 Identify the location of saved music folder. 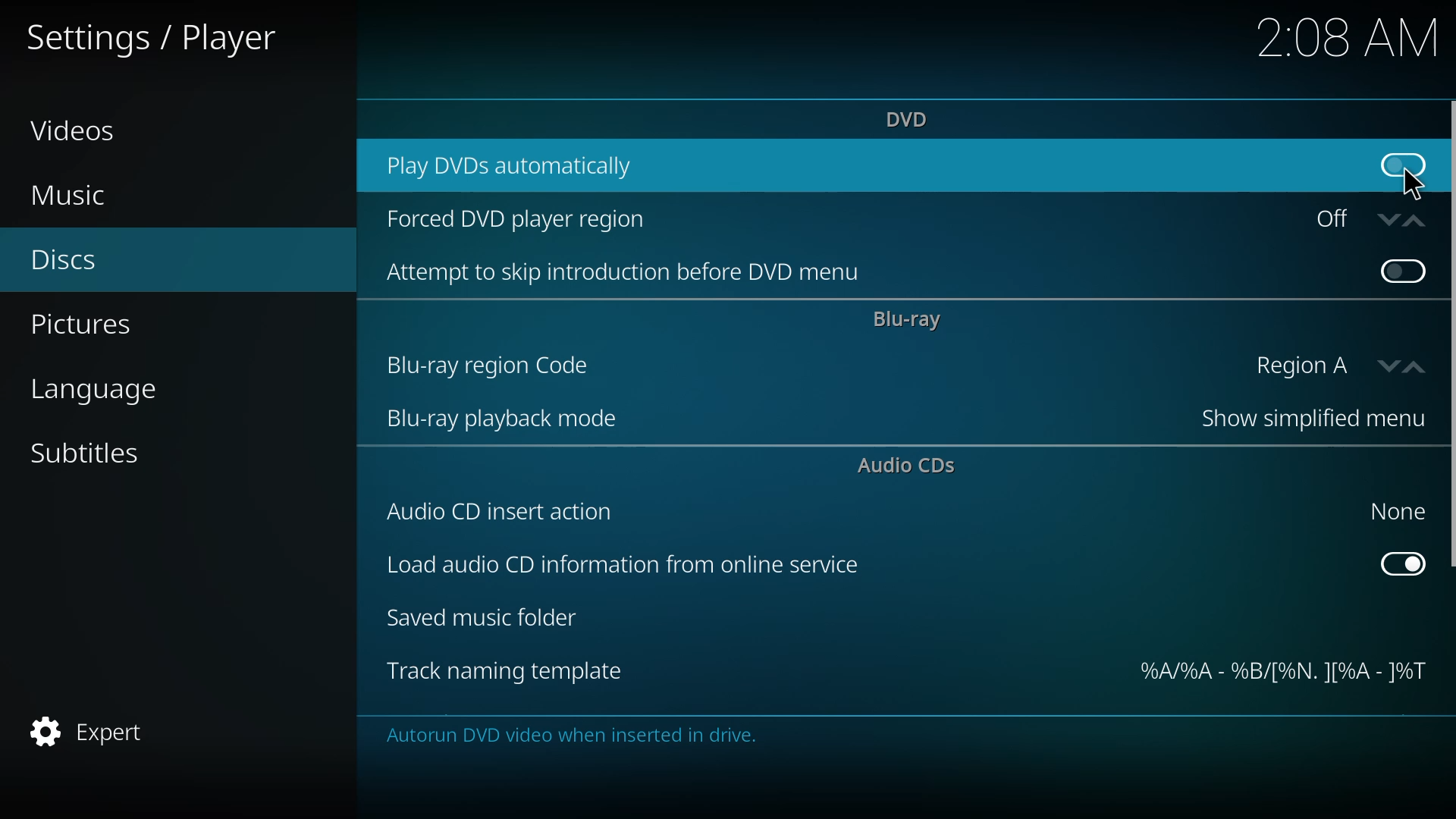
(488, 620).